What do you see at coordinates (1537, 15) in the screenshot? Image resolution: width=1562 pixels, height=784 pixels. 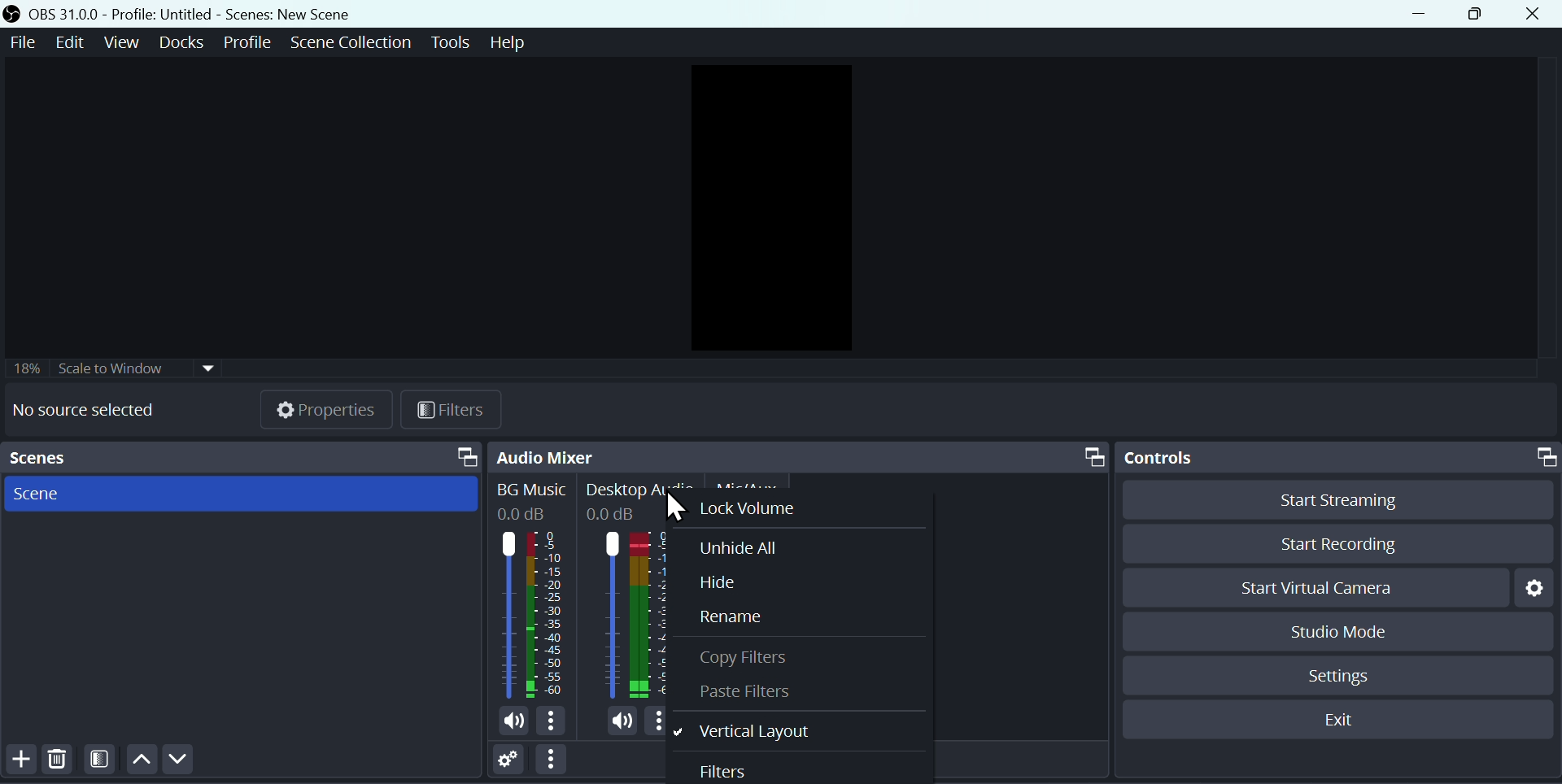 I see `Close` at bounding box center [1537, 15].